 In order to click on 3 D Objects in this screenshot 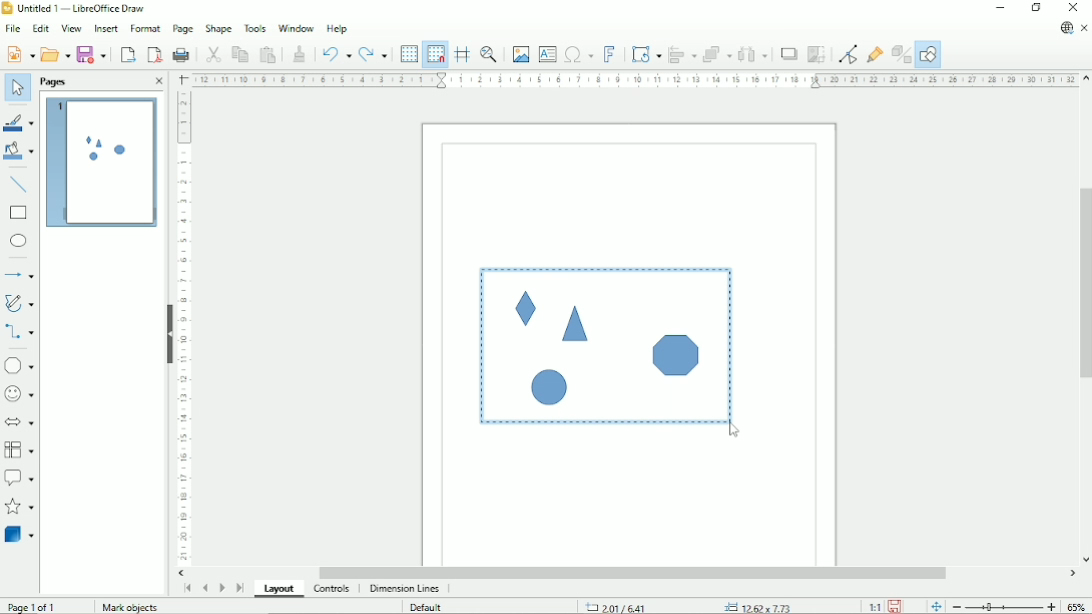, I will do `click(20, 535)`.